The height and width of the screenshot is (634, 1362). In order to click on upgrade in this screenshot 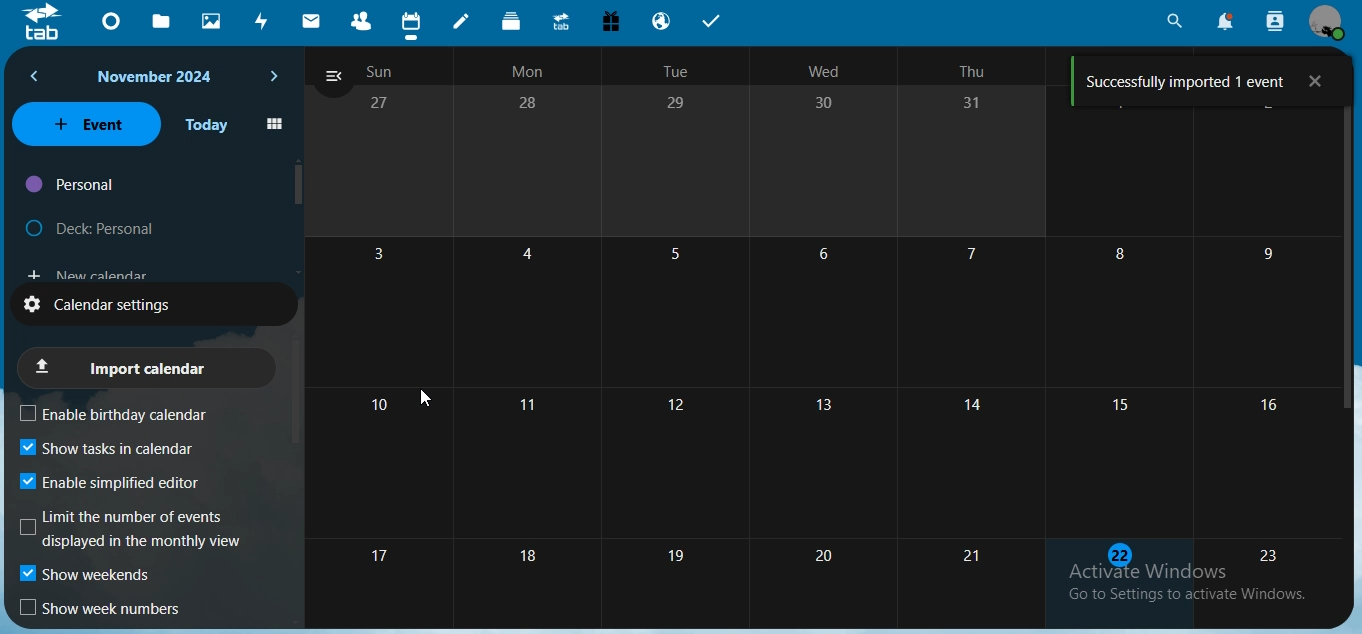, I will do `click(563, 22)`.